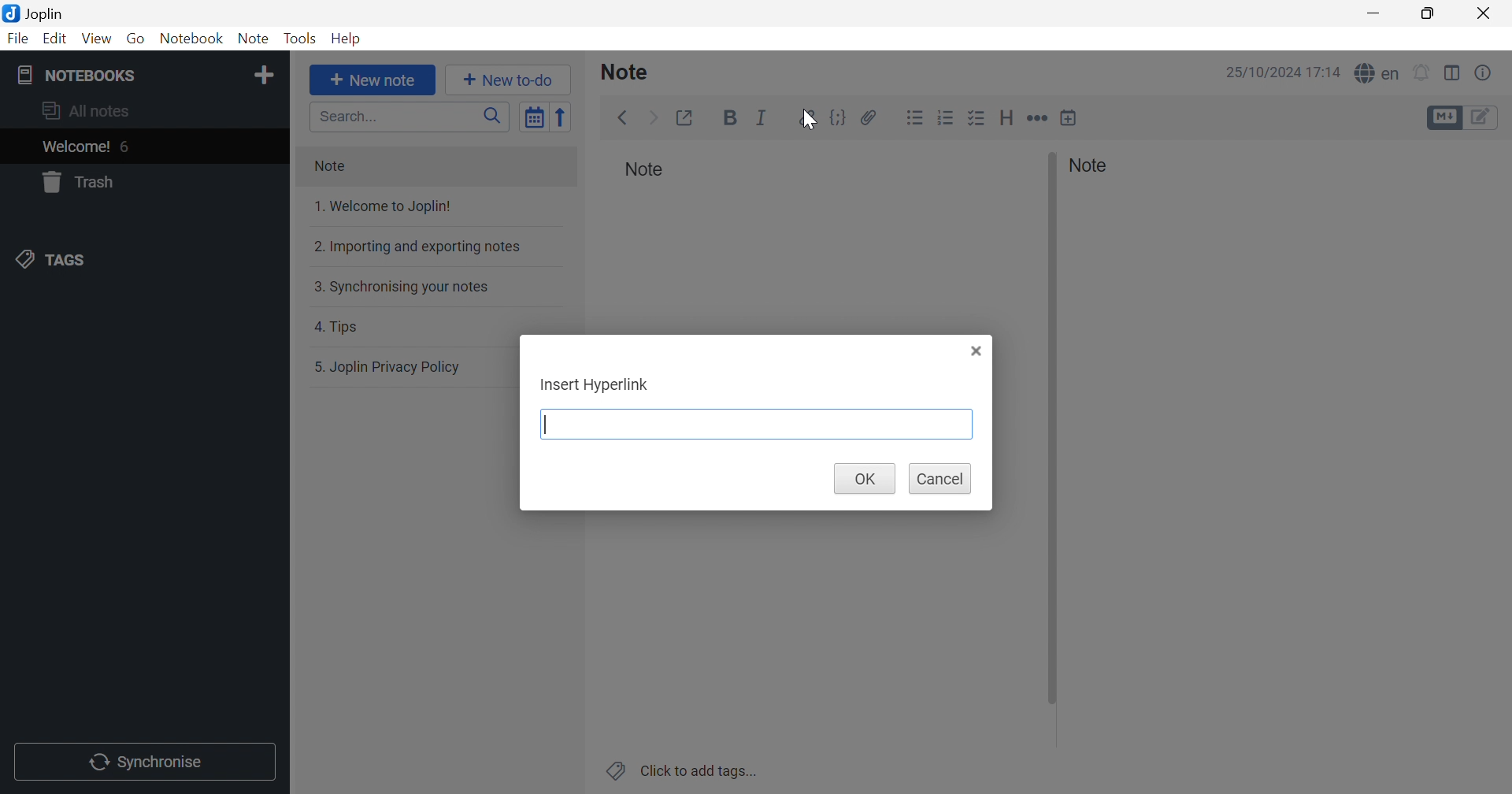  What do you see at coordinates (145, 762) in the screenshot?
I see `Synchronise` at bounding box center [145, 762].